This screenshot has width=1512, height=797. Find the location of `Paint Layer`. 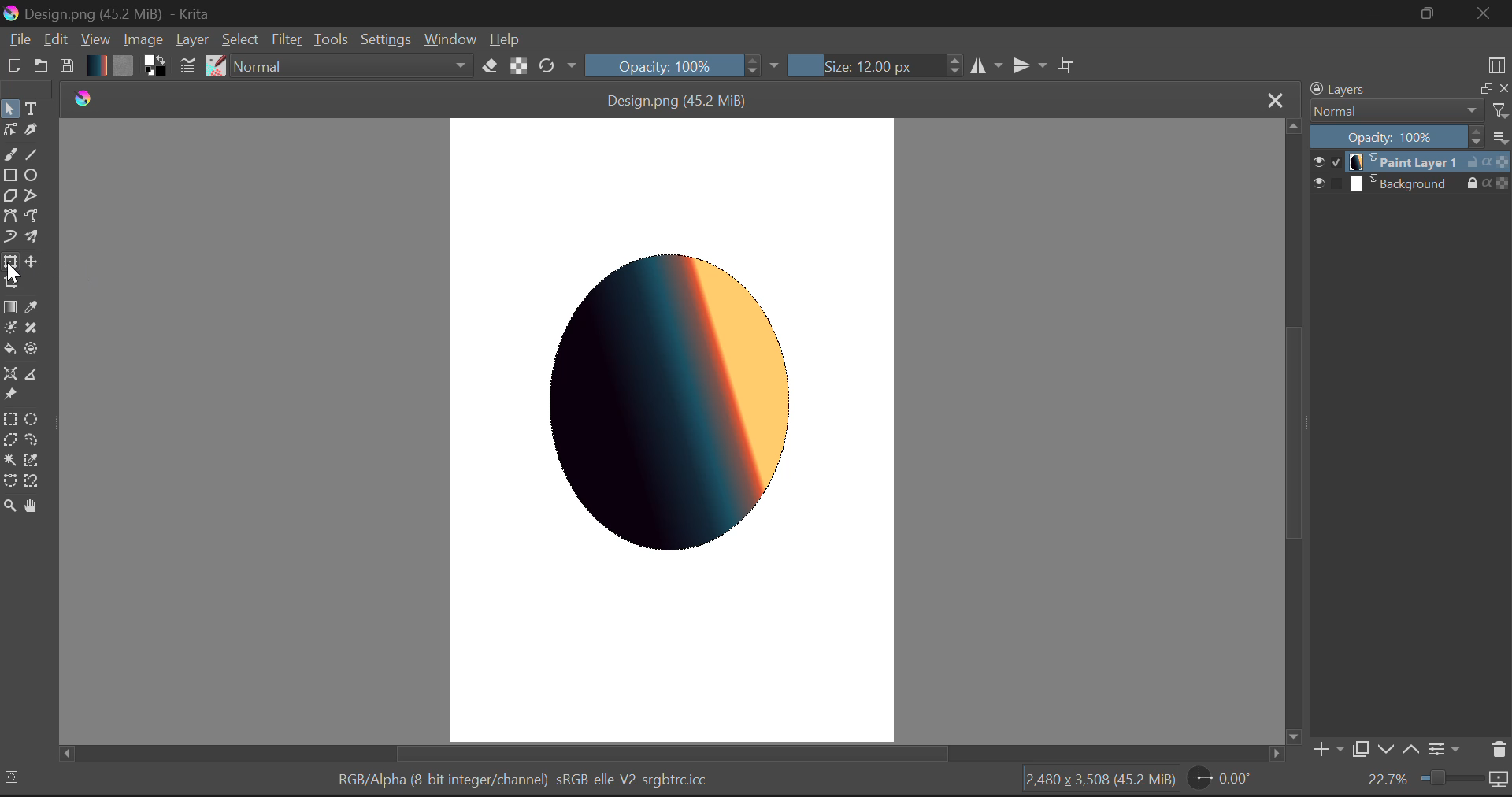

Paint Layer is located at coordinates (1411, 162).